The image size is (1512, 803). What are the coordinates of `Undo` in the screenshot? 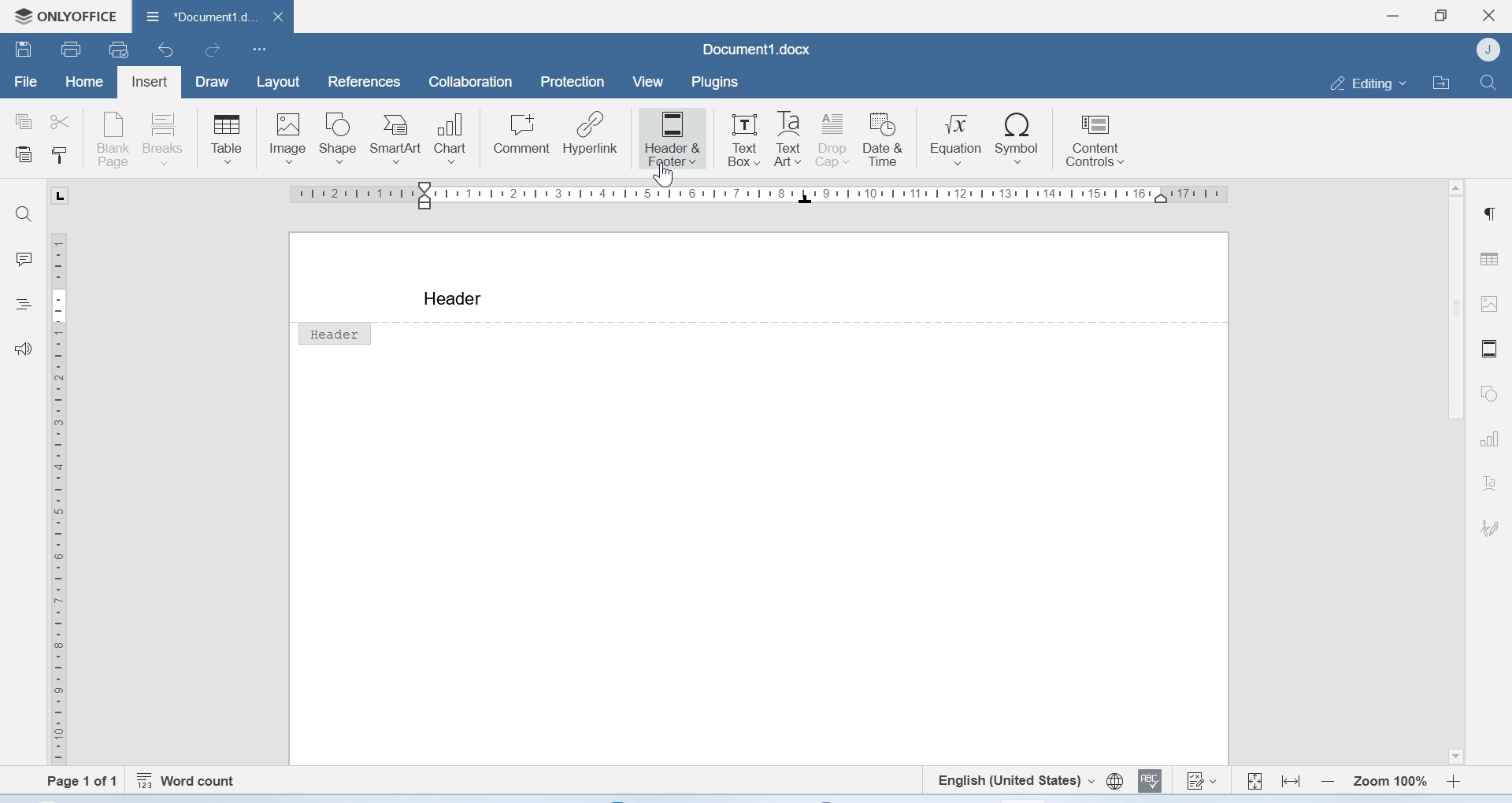 It's located at (168, 51).